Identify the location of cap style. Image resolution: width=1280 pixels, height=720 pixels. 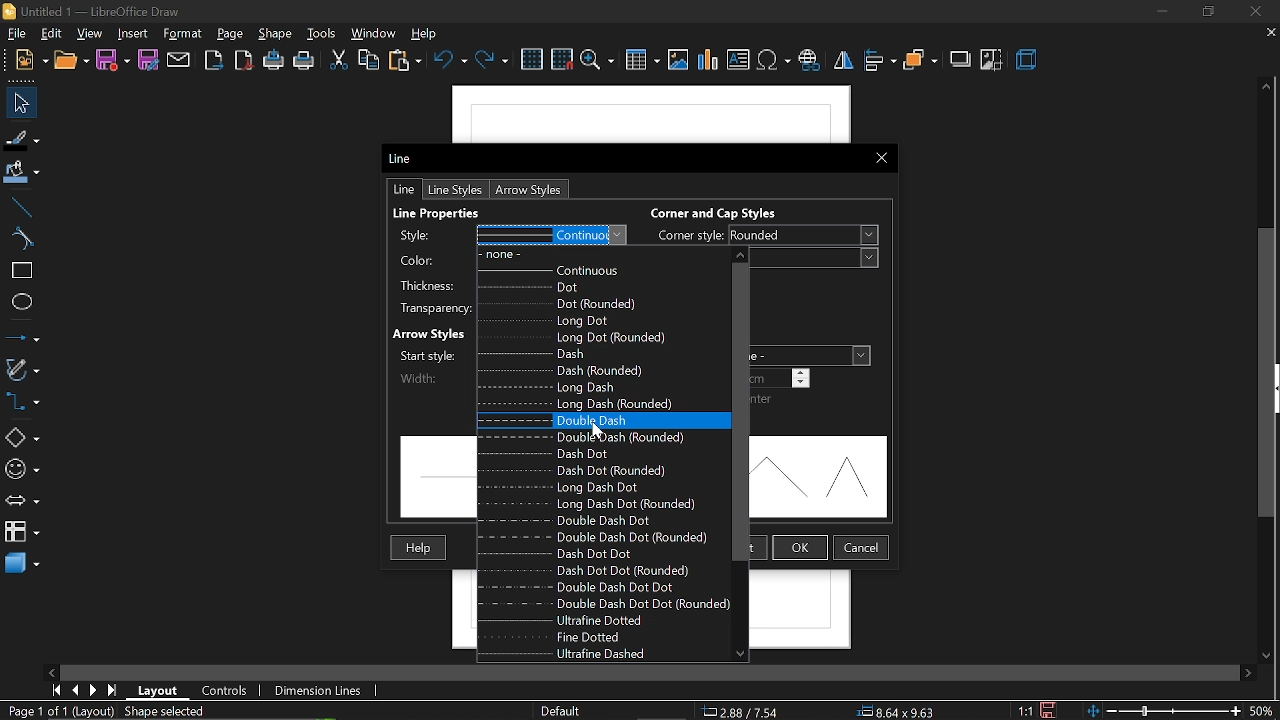
(818, 258).